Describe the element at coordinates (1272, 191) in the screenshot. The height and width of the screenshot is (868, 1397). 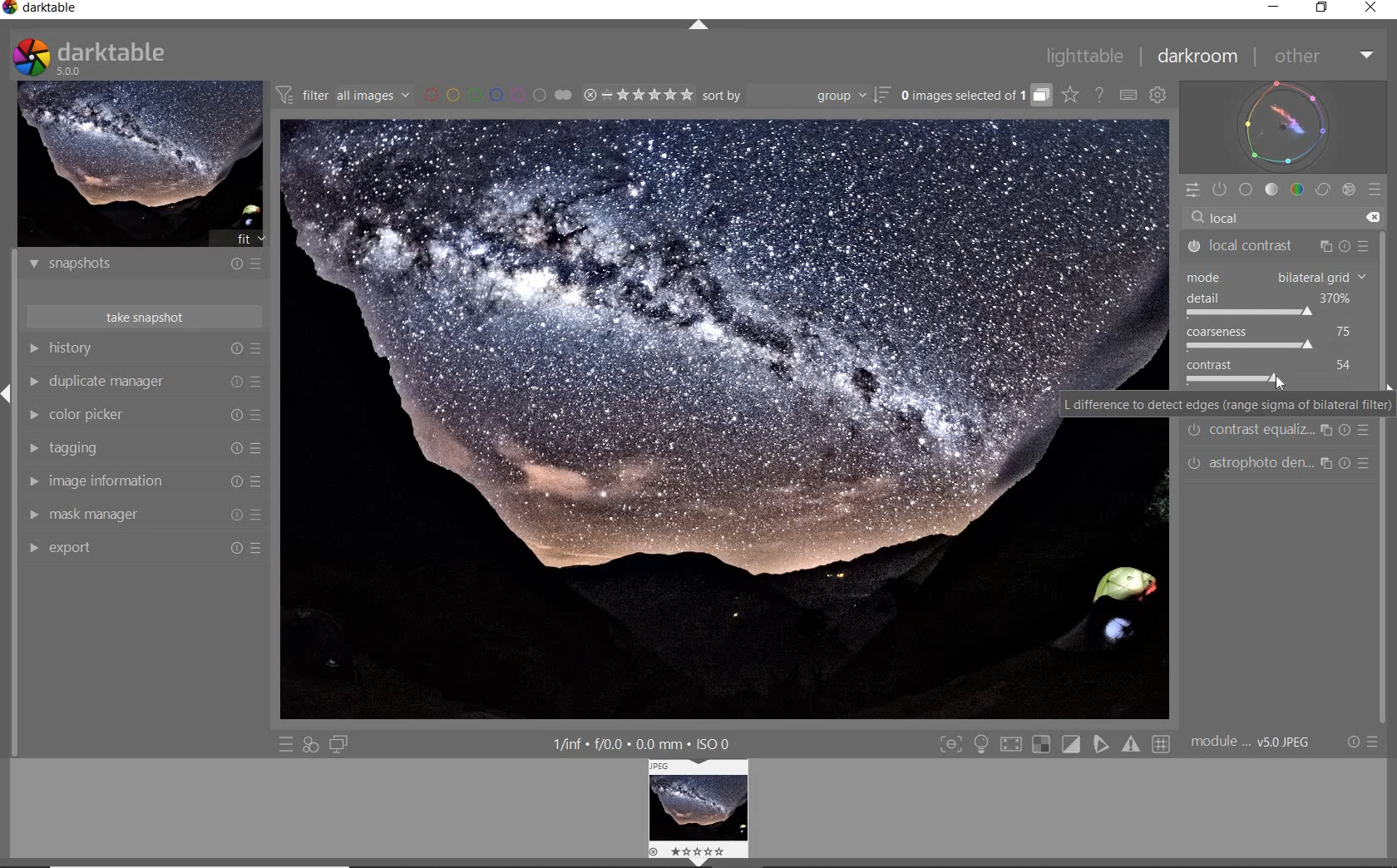
I see `TONE` at that location.